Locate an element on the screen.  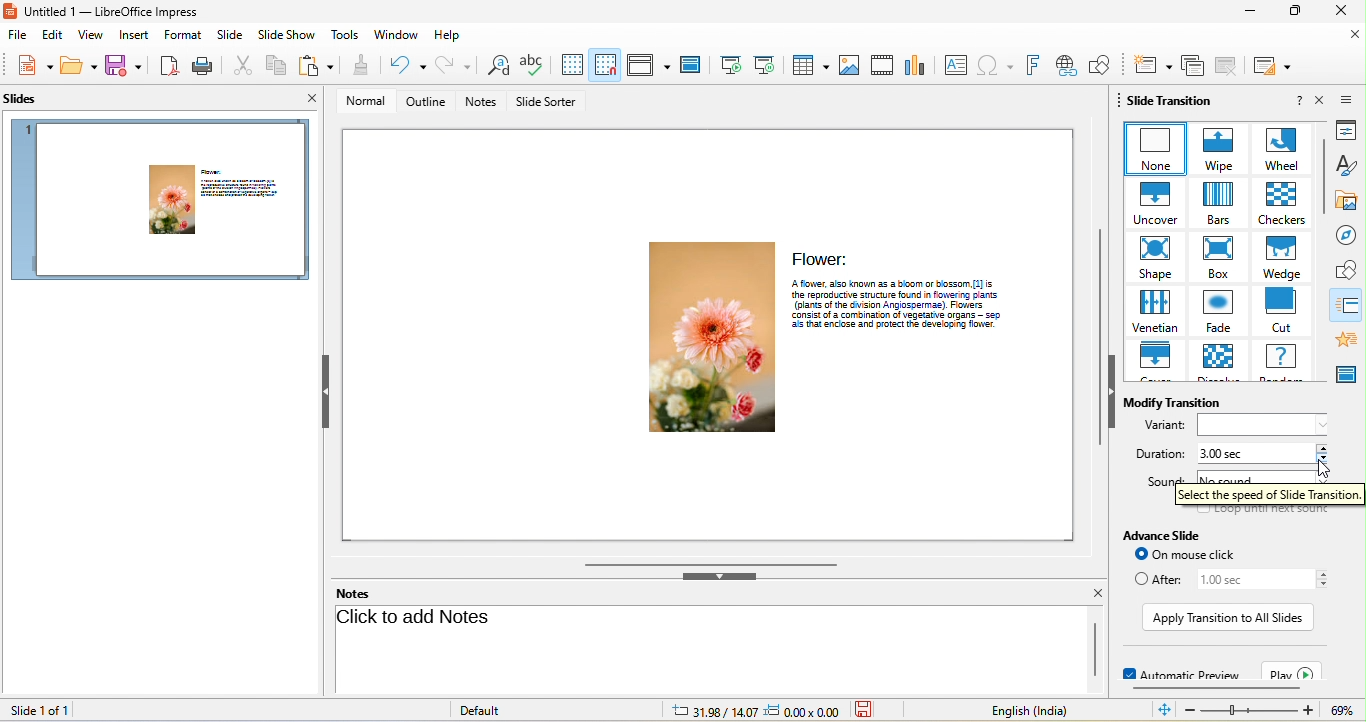
chart is located at coordinates (917, 65).